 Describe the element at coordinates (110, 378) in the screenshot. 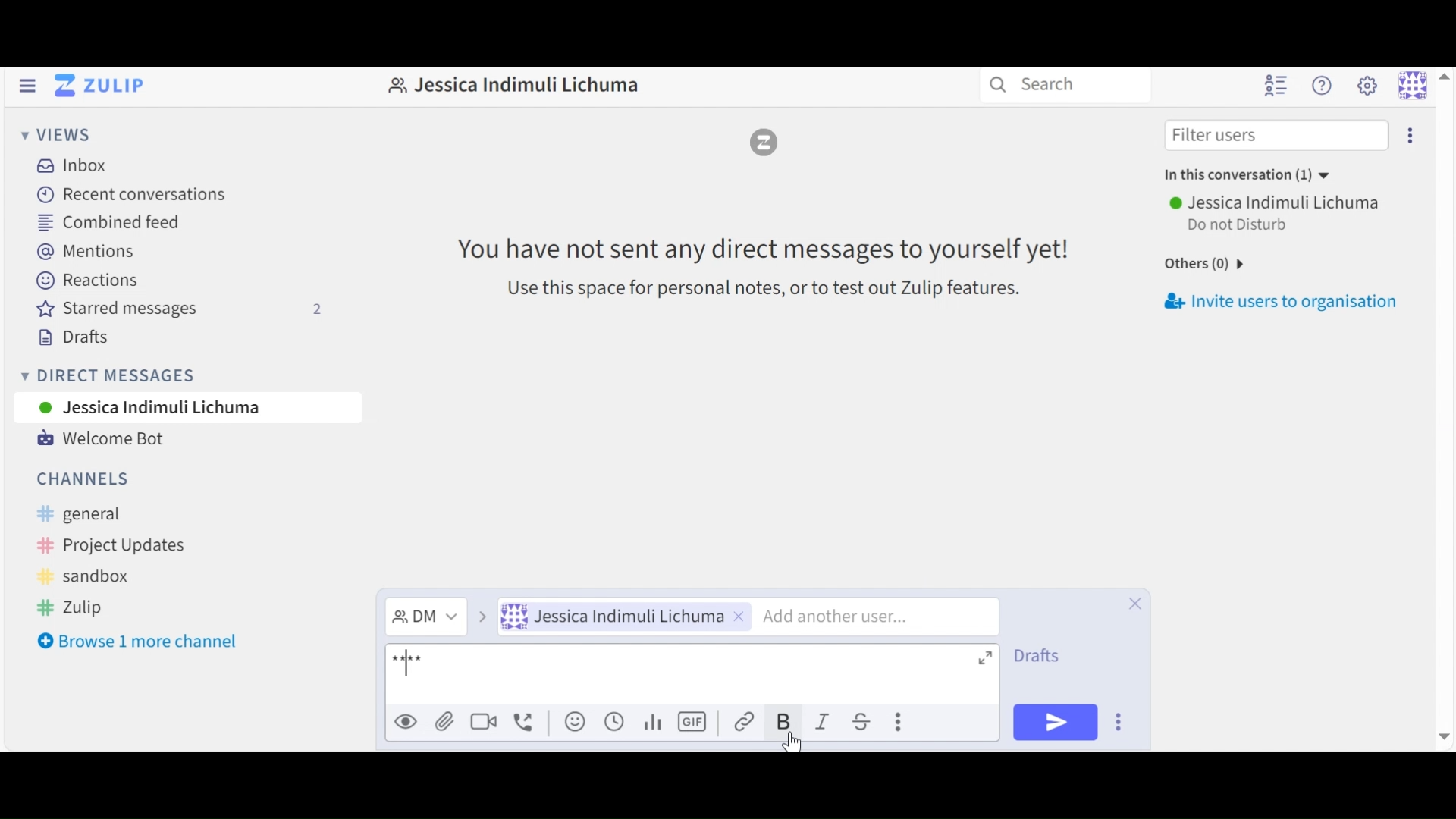

I see `Direct messages` at that location.